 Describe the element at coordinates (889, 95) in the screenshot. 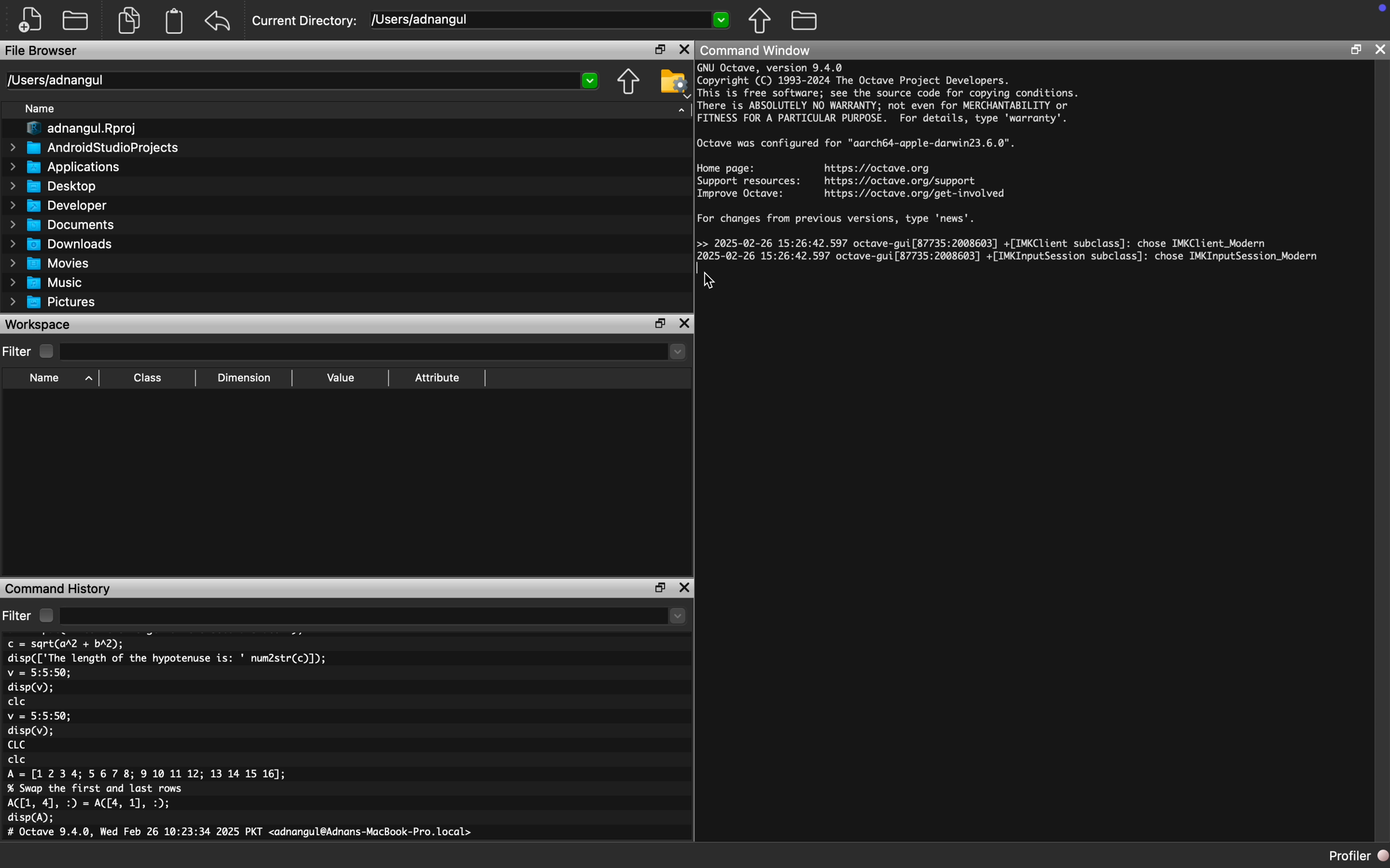

I see `GNU Octave, version 9.4.0

Copyright (C) 1993-2024 The Octave Project Developers.

This is free software; see the source code for copying conditions.
There is ABSOLUTELY NO WARRANTY; not even for MERCHANTABILITY or
FITNESS FOR A PARTICULAR PURPOSE. For details, type 'warranty'.` at that location.